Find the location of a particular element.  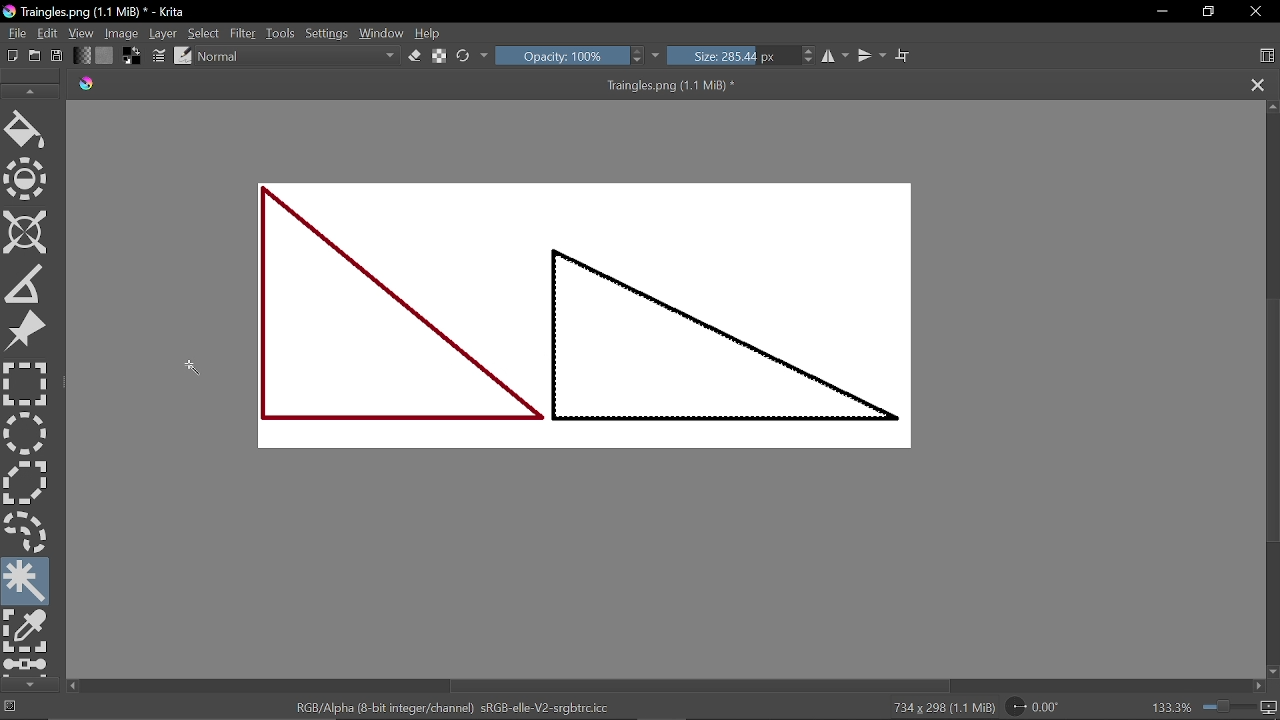

No selection is located at coordinates (11, 708).